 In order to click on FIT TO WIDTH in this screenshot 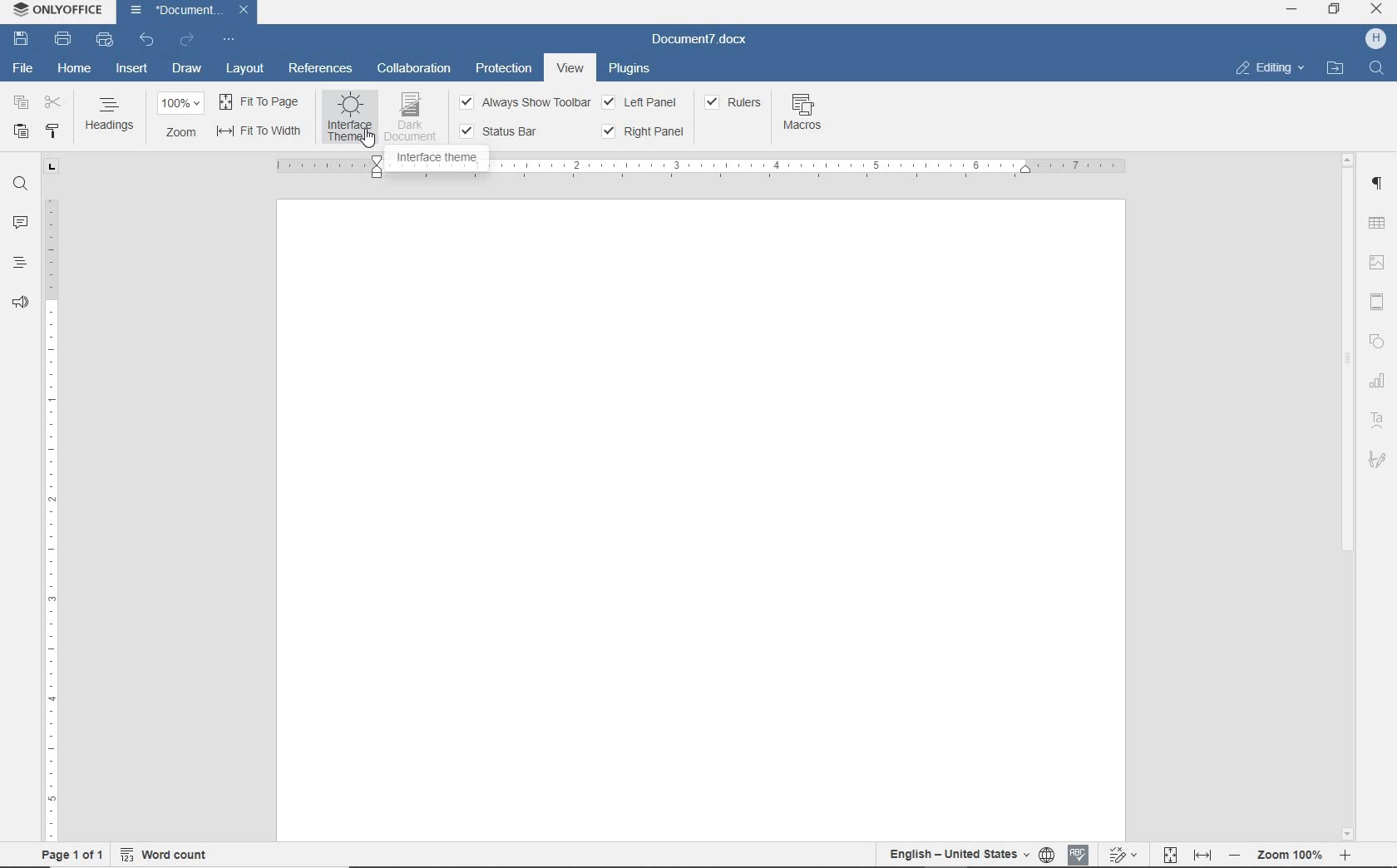, I will do `click(259, 133)`.